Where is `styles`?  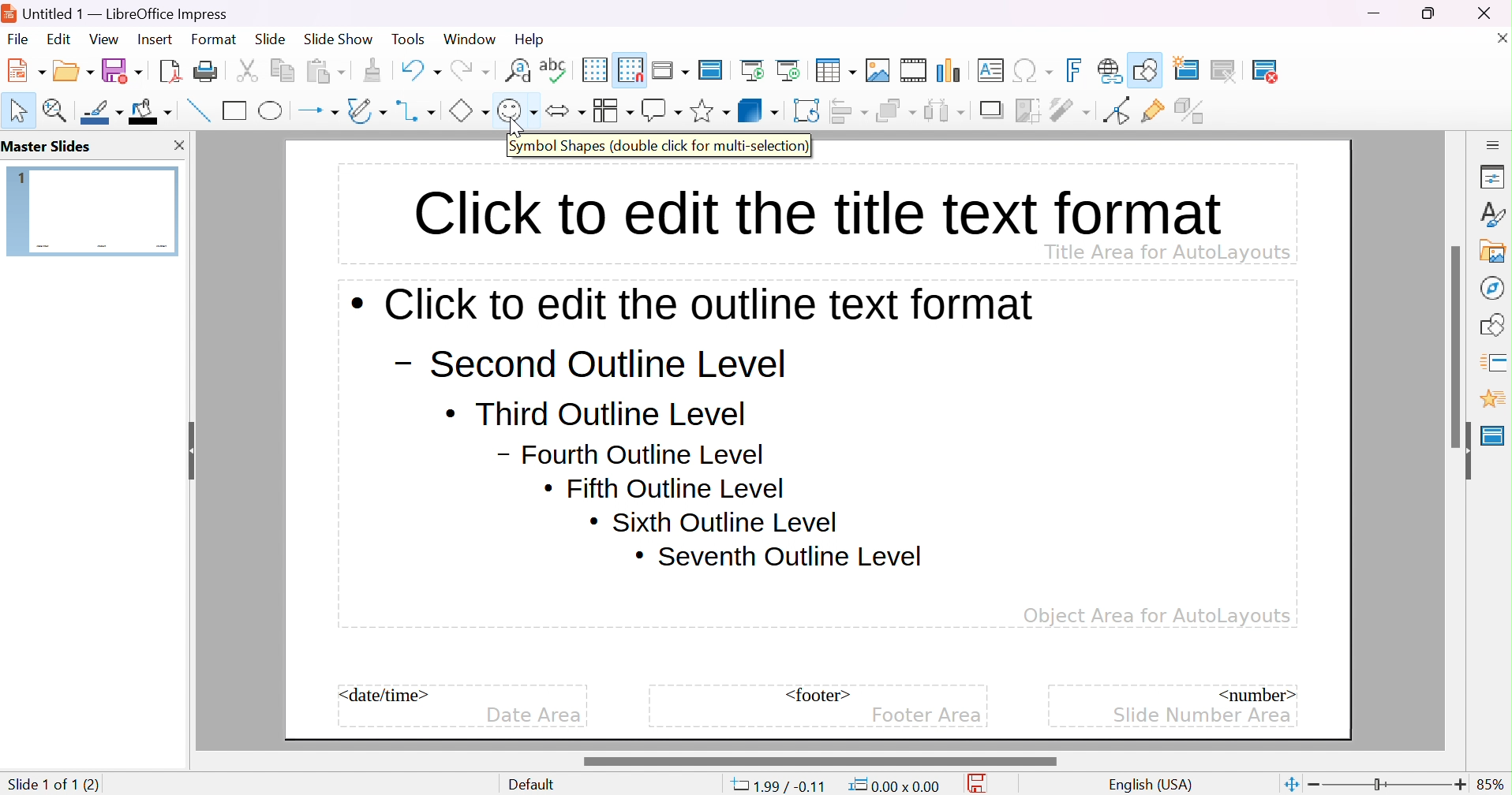
styles is located at coordinates (1494, 214).